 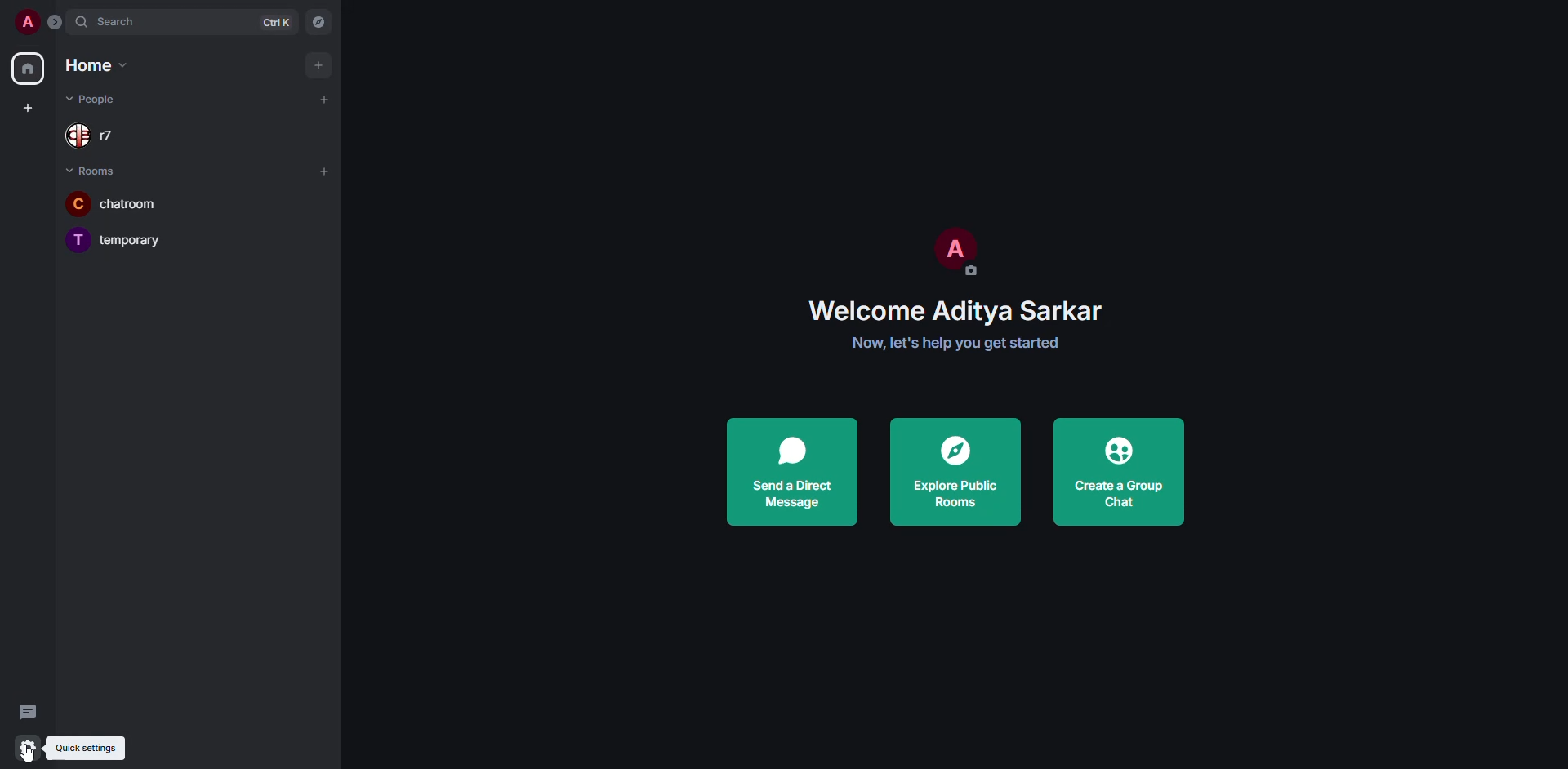 I want to click on rooms, so click(x=96, y=172).